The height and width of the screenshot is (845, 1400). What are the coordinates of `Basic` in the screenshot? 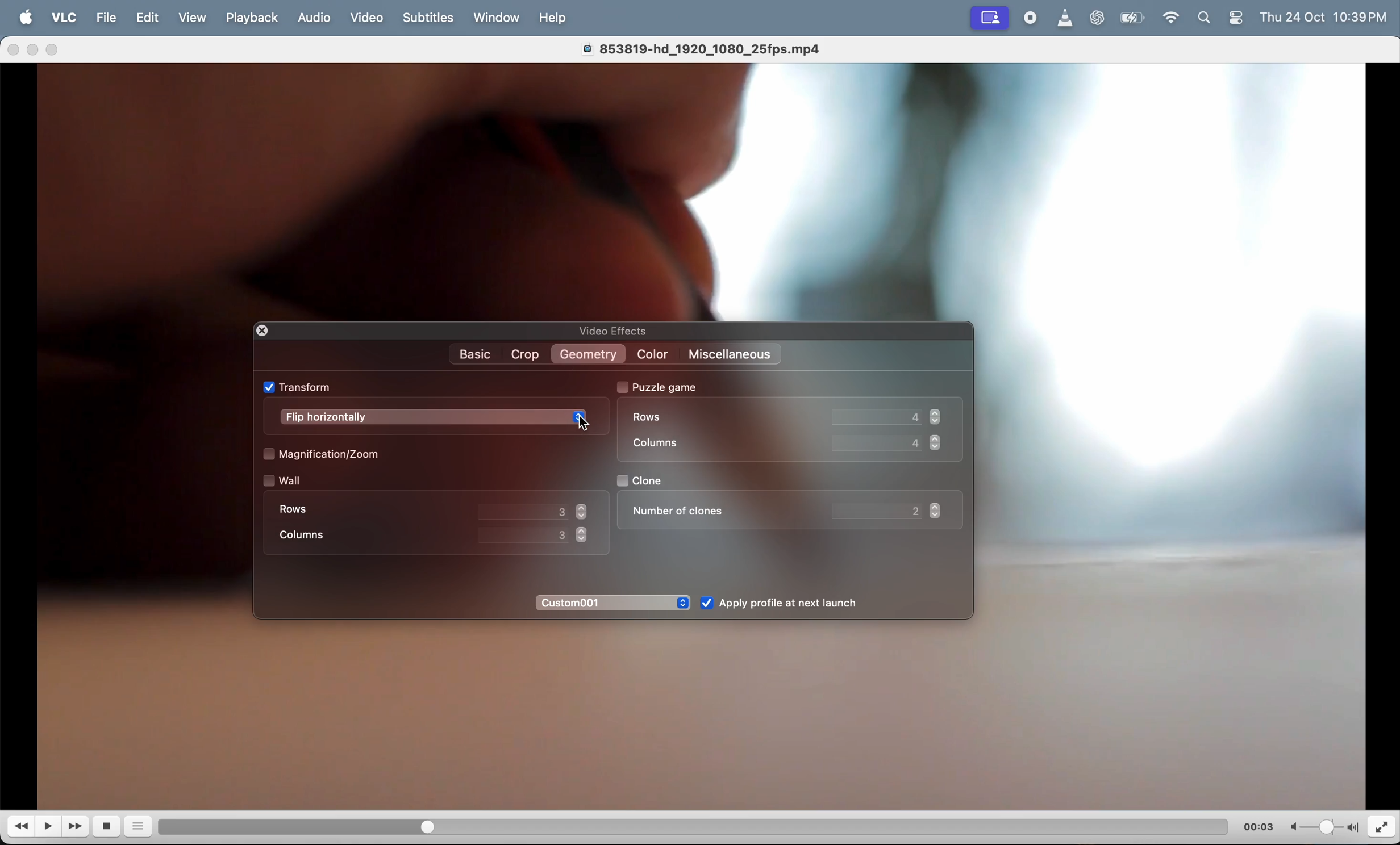 It's located at (478, 353).